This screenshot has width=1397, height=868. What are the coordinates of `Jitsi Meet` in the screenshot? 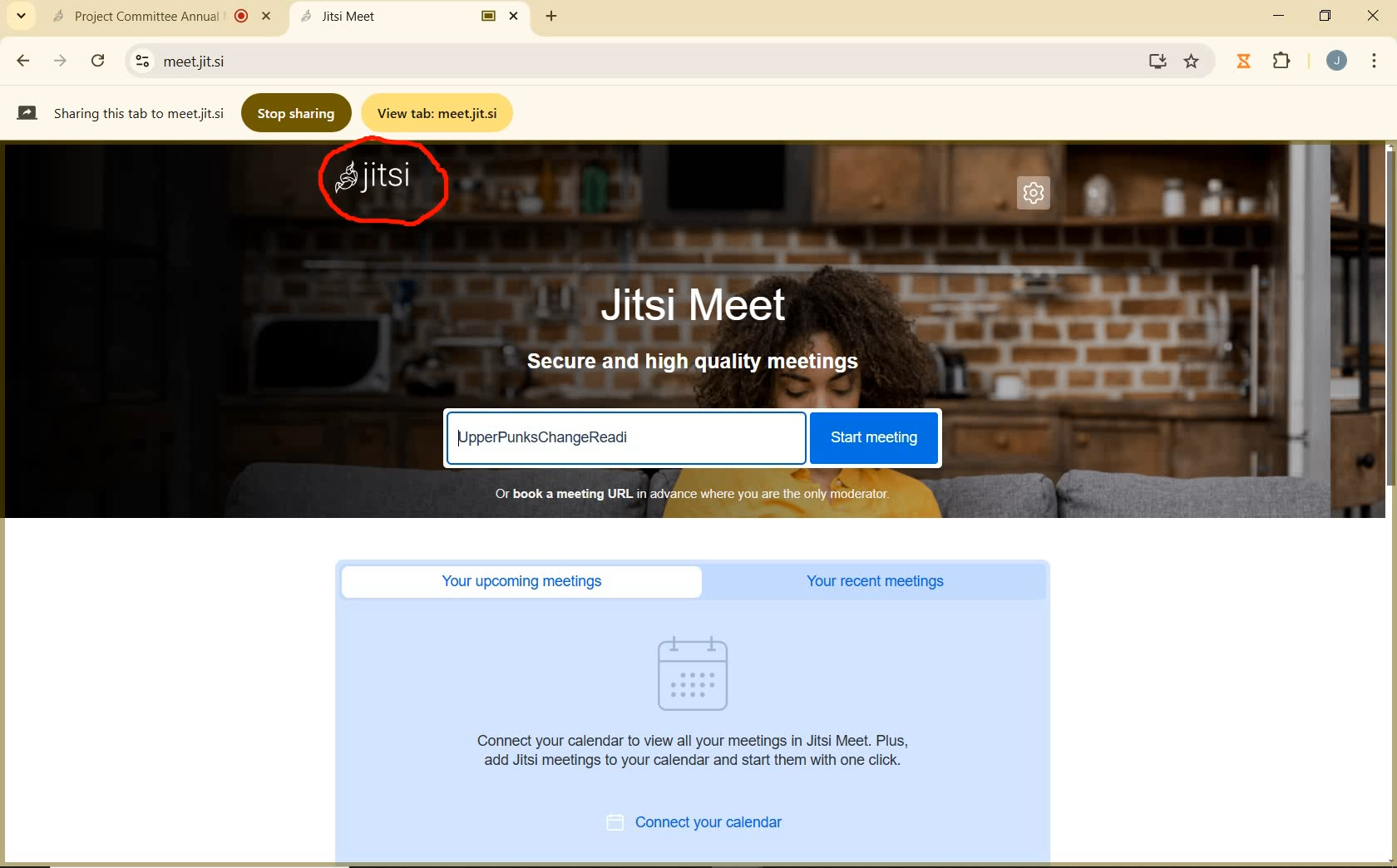 It's located at (412, 16).